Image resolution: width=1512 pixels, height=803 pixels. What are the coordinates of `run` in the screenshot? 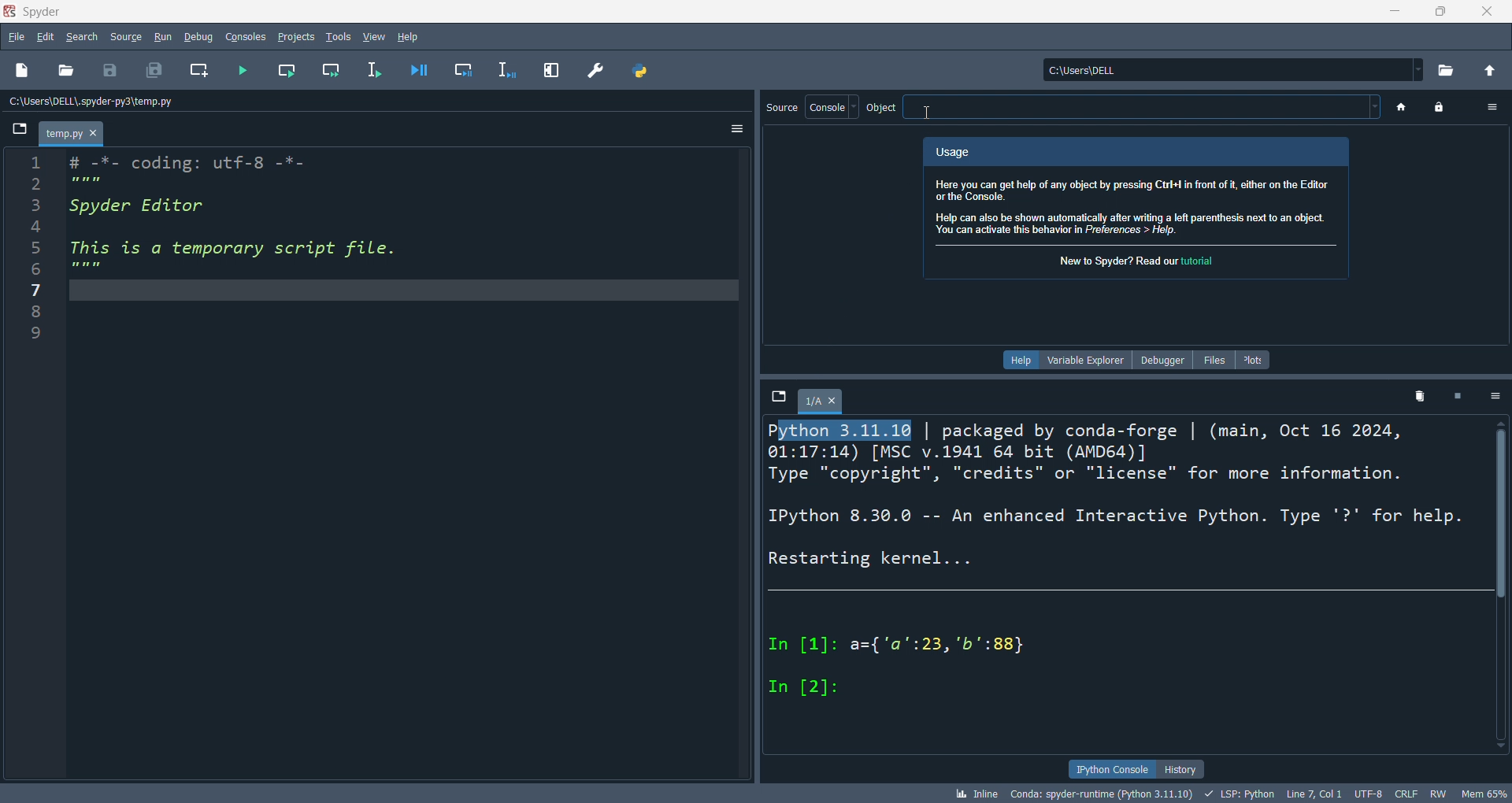 It's located at (160, 37).